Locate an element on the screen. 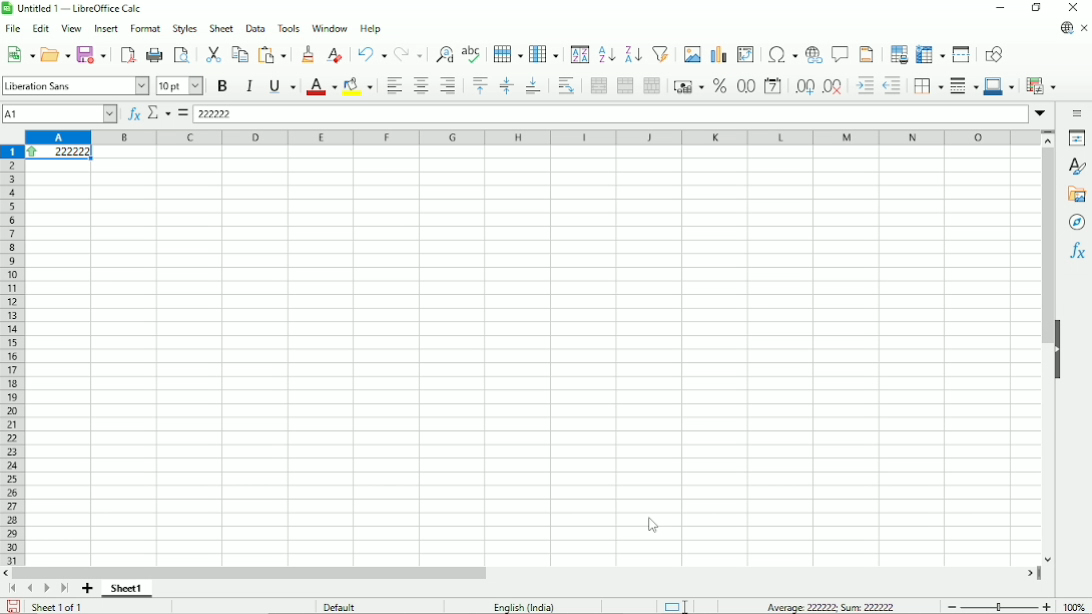 This screenshot has height=614, width=1092. Paste is located at coordinates (275, 52).